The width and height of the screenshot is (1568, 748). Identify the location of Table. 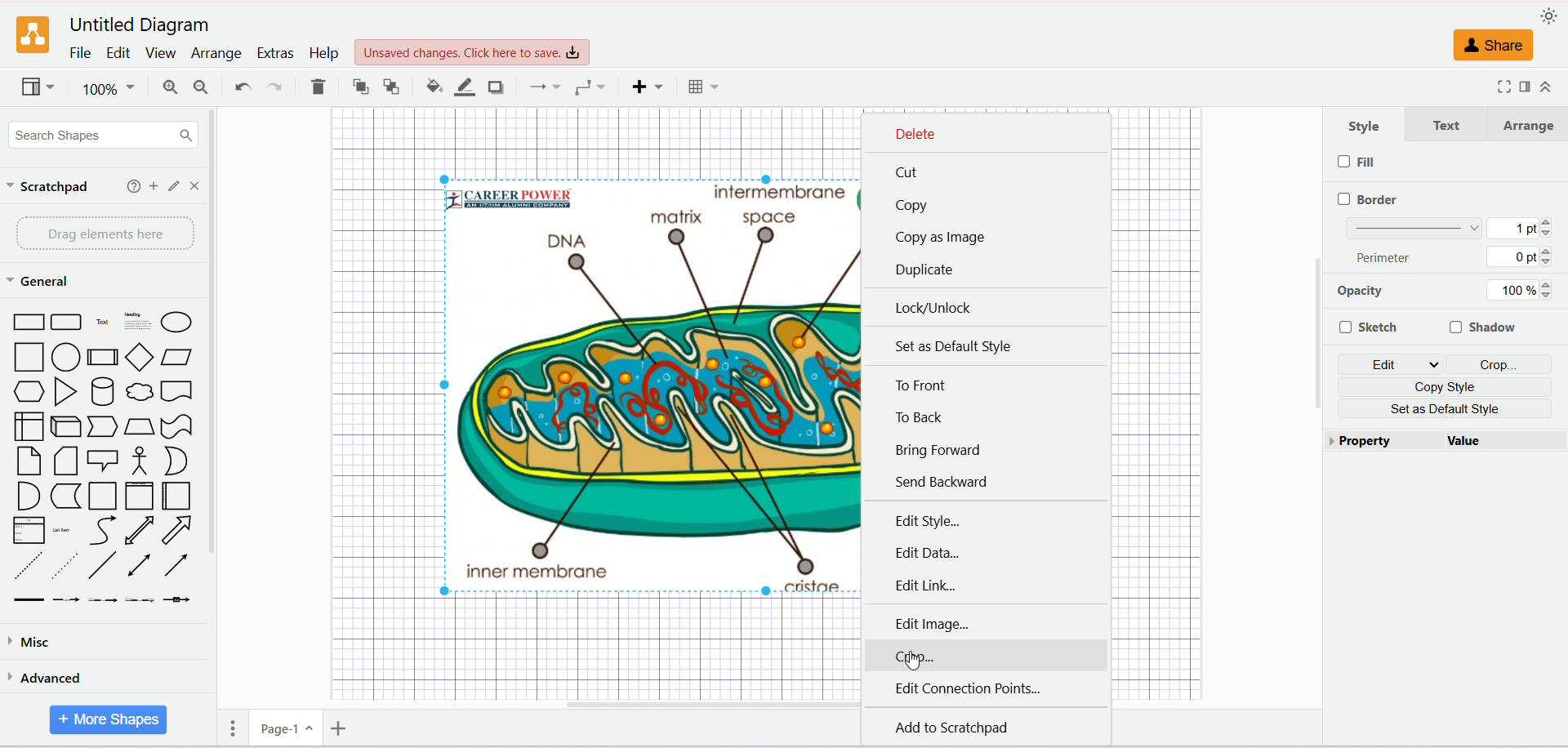
(700, 87).